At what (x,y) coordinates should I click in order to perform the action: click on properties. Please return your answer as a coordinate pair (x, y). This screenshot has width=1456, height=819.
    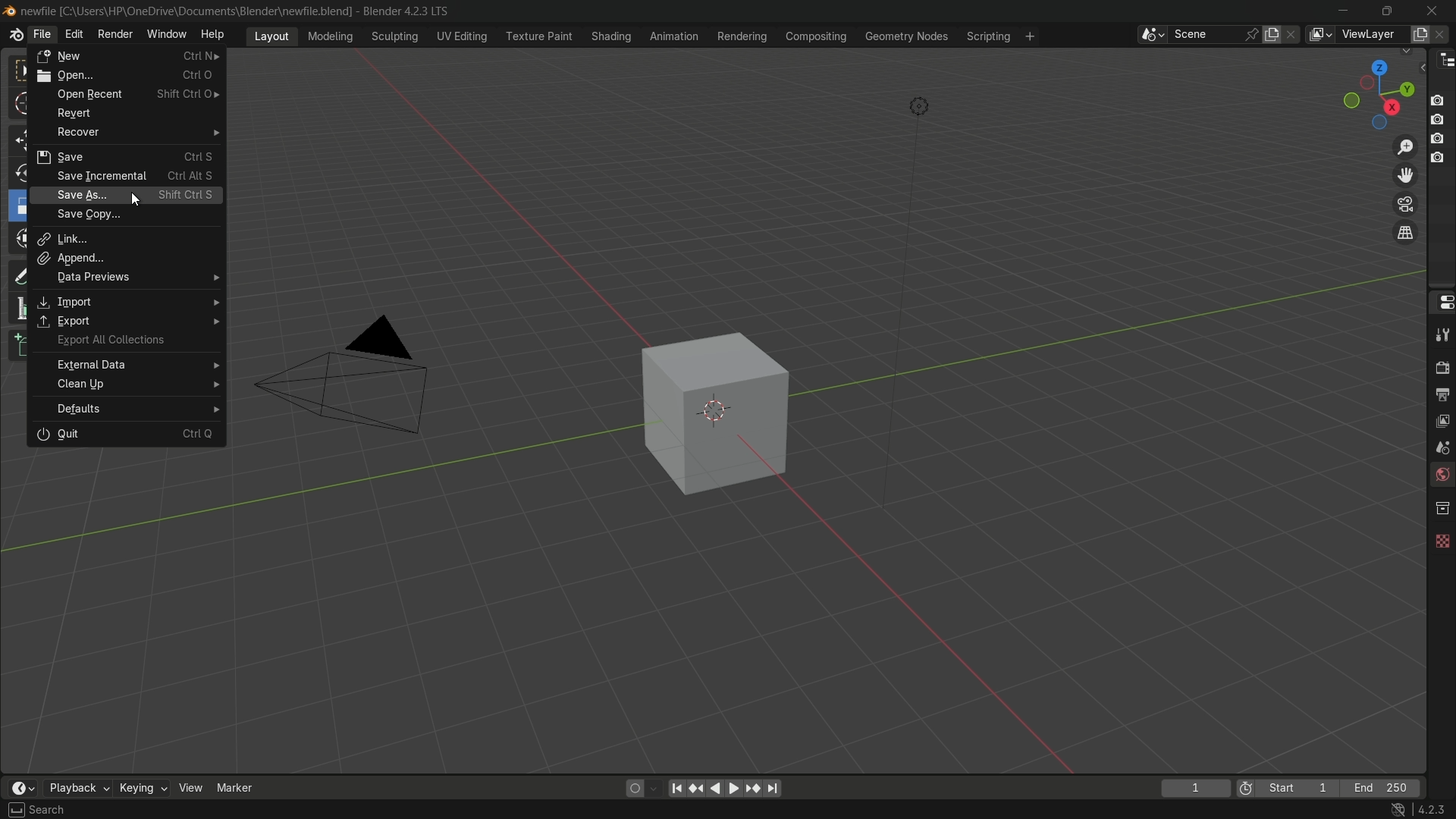
    Looking at the image, I should click on (1441, 301).